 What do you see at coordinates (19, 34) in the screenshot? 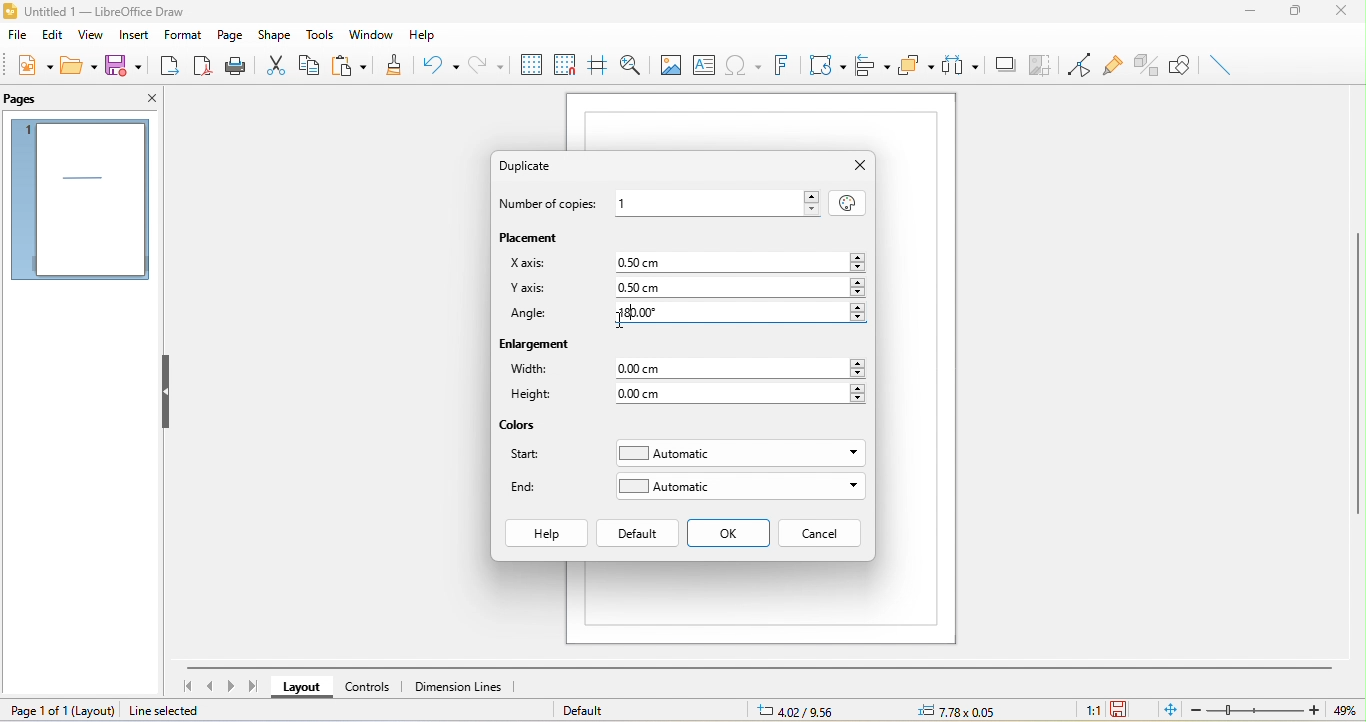
I see `file` at bounding box center [19, 34].